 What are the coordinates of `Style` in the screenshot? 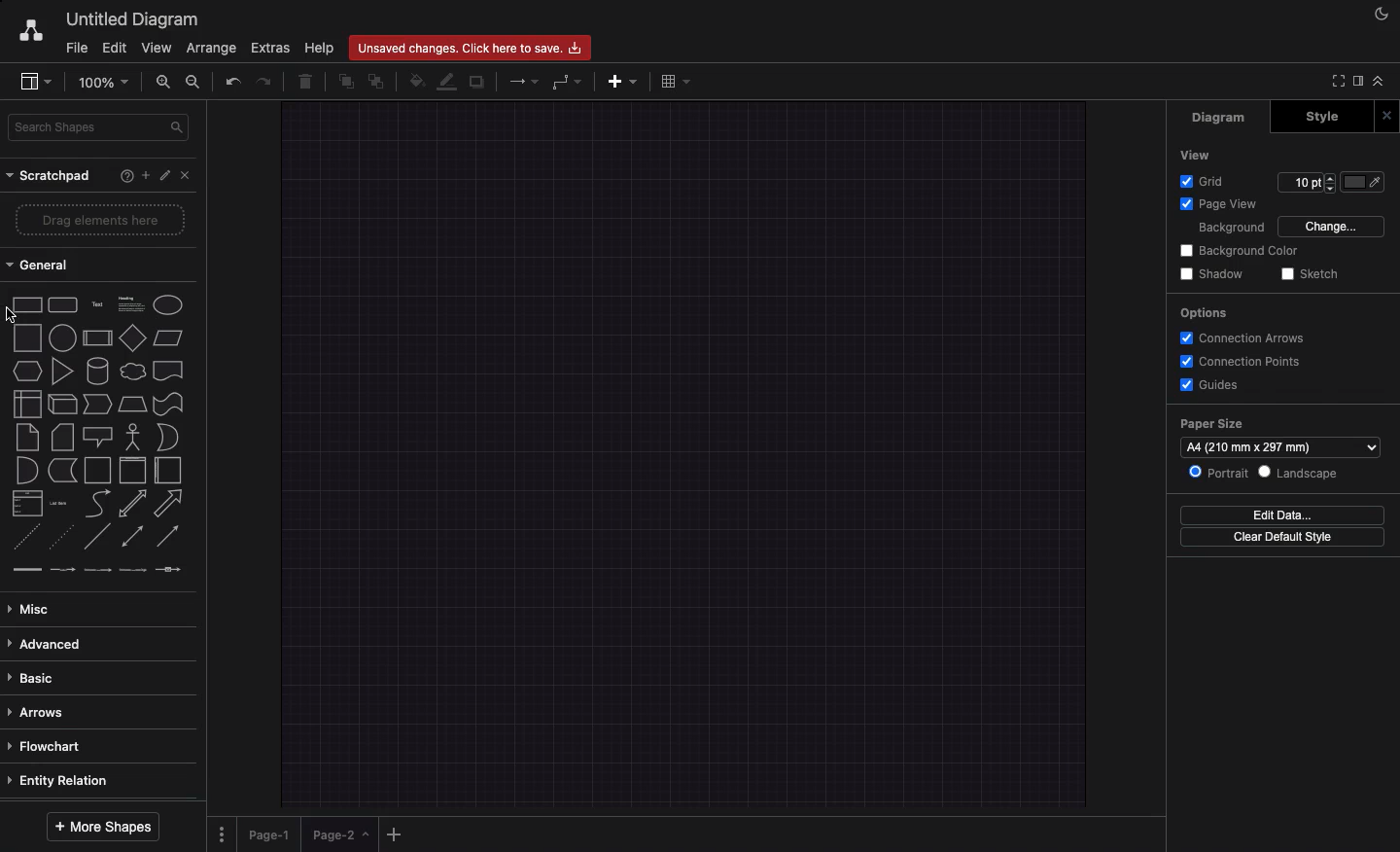 It's located at (1318, 117).